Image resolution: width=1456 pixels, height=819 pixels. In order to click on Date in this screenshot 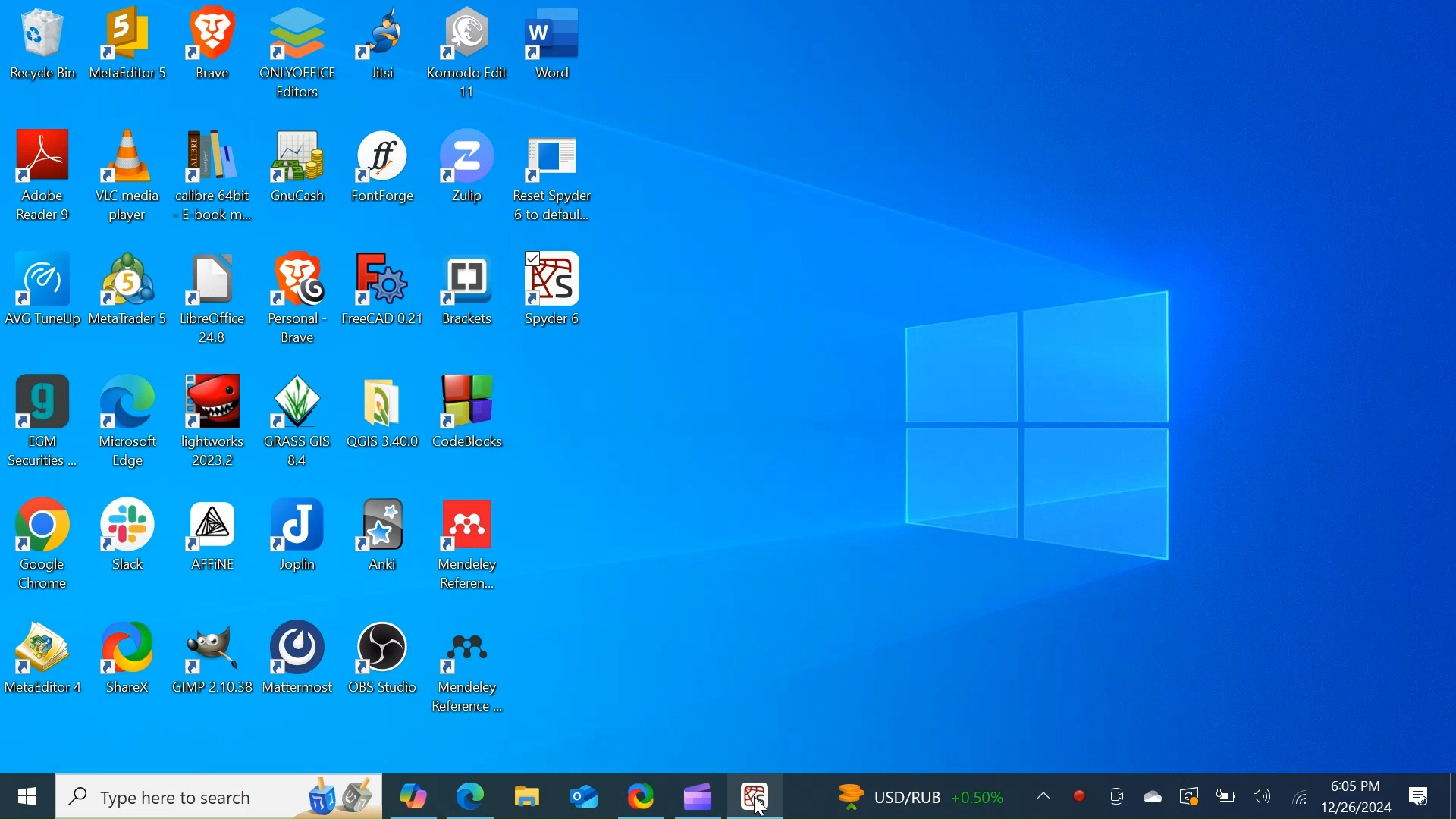, I will do `click(1355, 807)`.